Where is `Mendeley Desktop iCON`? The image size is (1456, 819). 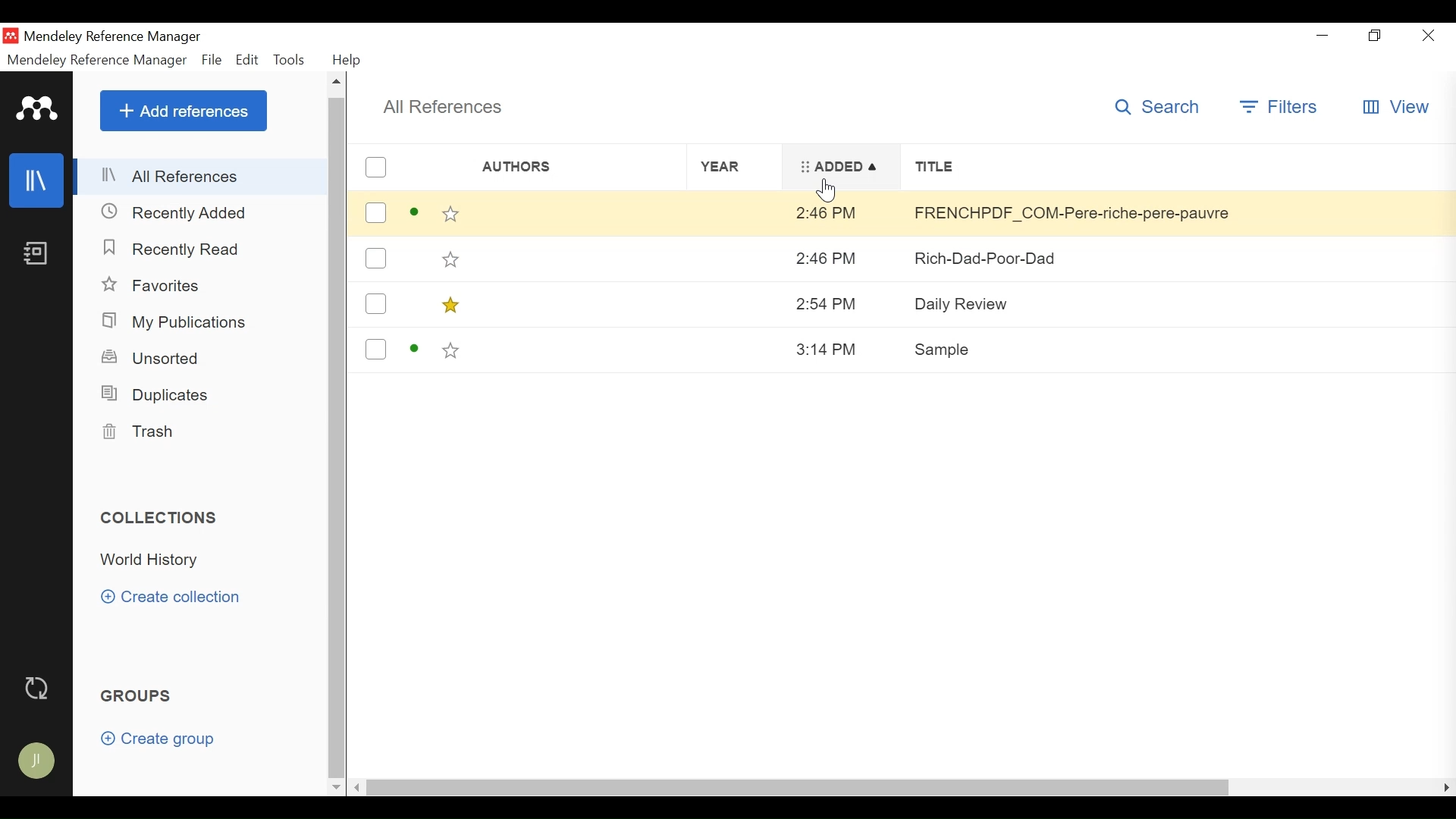
Mendeley Desktop iCON is located at coordinates (11, 35).